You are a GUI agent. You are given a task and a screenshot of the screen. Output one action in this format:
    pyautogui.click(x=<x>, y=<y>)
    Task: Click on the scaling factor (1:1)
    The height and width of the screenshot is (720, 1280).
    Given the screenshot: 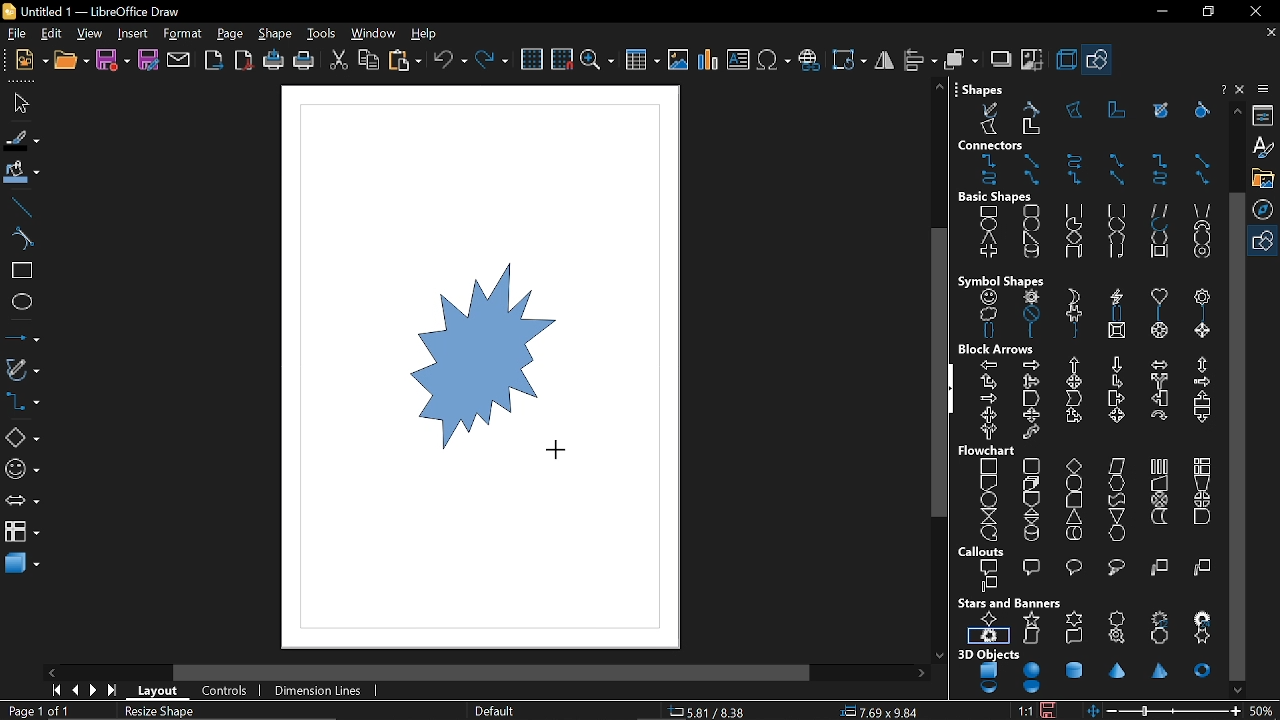 What is the action you would take?
    pyautogui.click(x=1026, y=710)
    